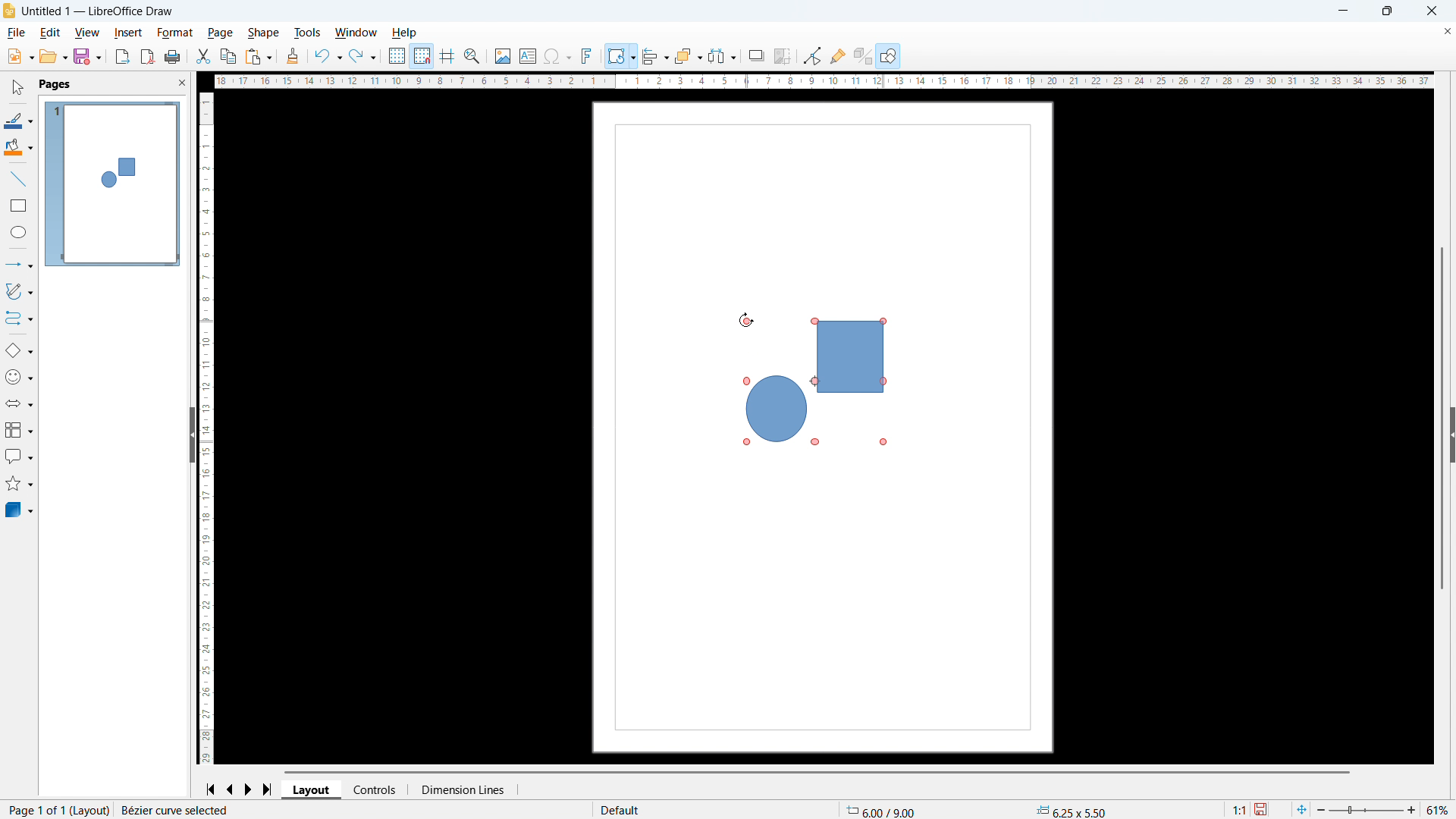 The height and width of the screenshot is (819, 1456). Describe the element at coordinates (17, 485) in the screenshot. I see `Stars and banners ` at that location.